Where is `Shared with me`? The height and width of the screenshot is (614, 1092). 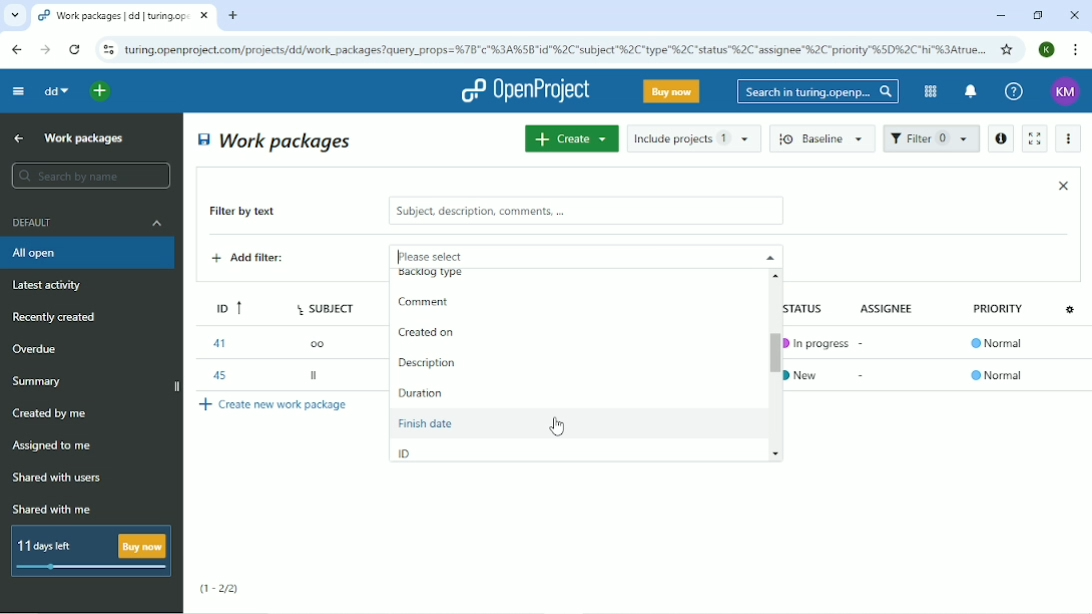 Shared with me is located at coordinates (54, 509).